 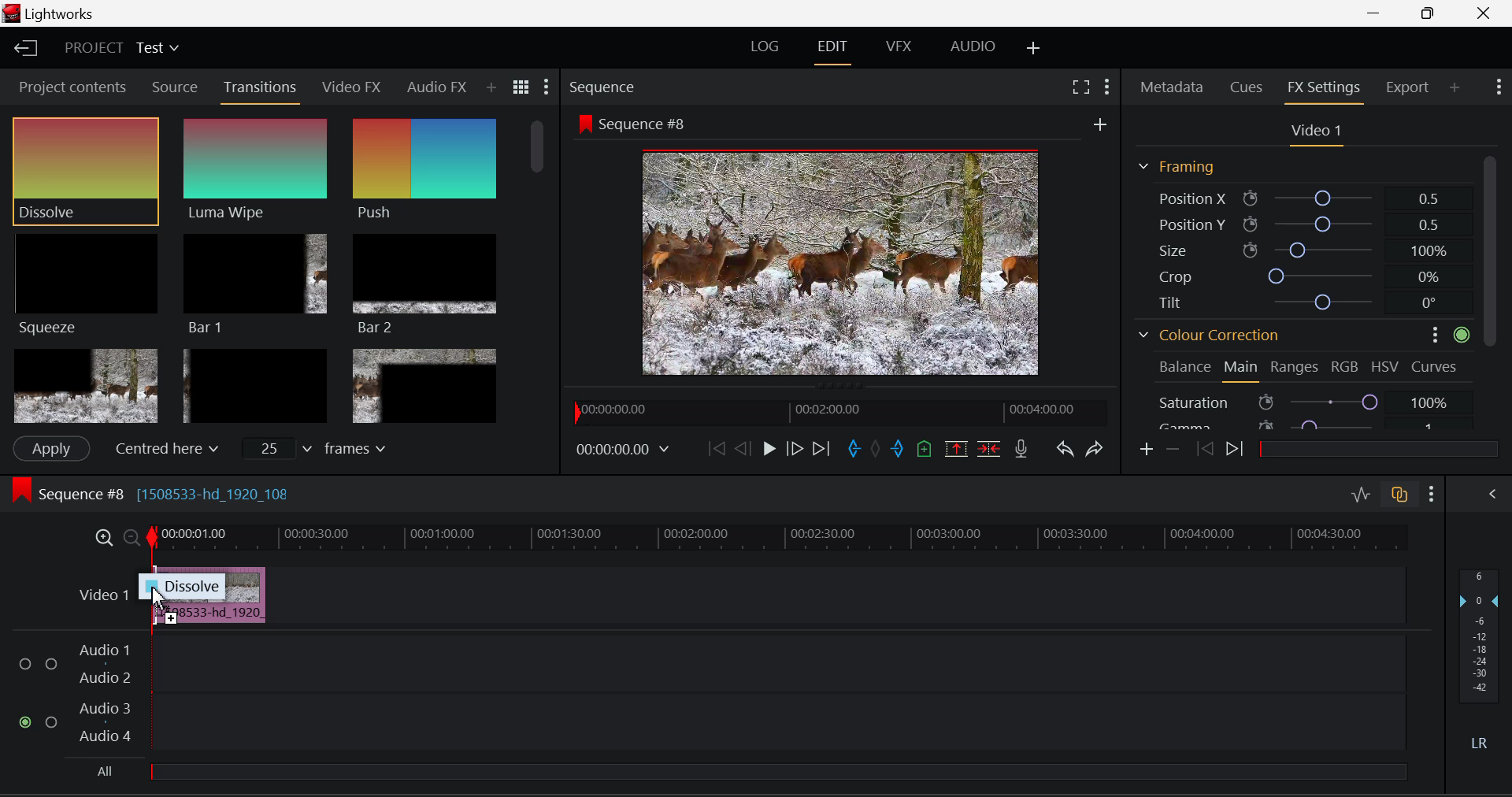 What do you see at coordinates (1345, 366) in the screenshot?
I see `RGB` at bounding box center [1345, 366].